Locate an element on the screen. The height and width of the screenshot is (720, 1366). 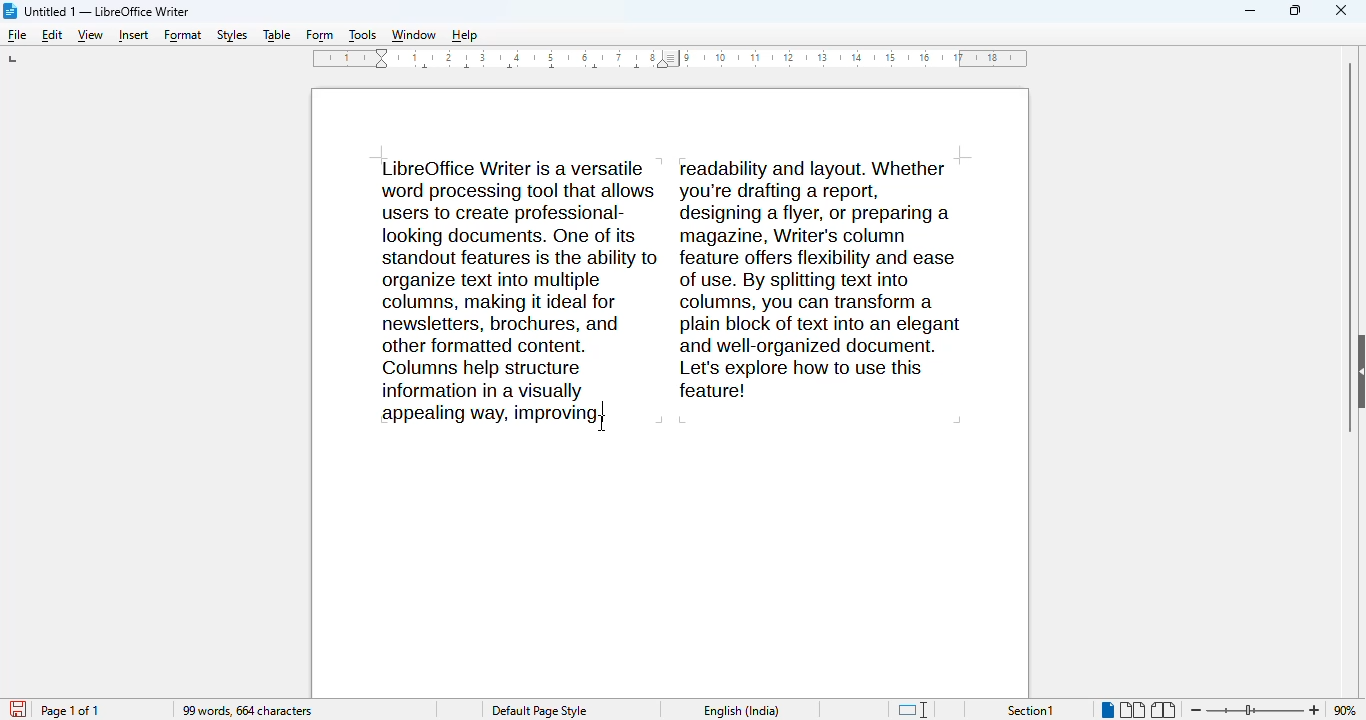
format is located at coordinates (183, 36).